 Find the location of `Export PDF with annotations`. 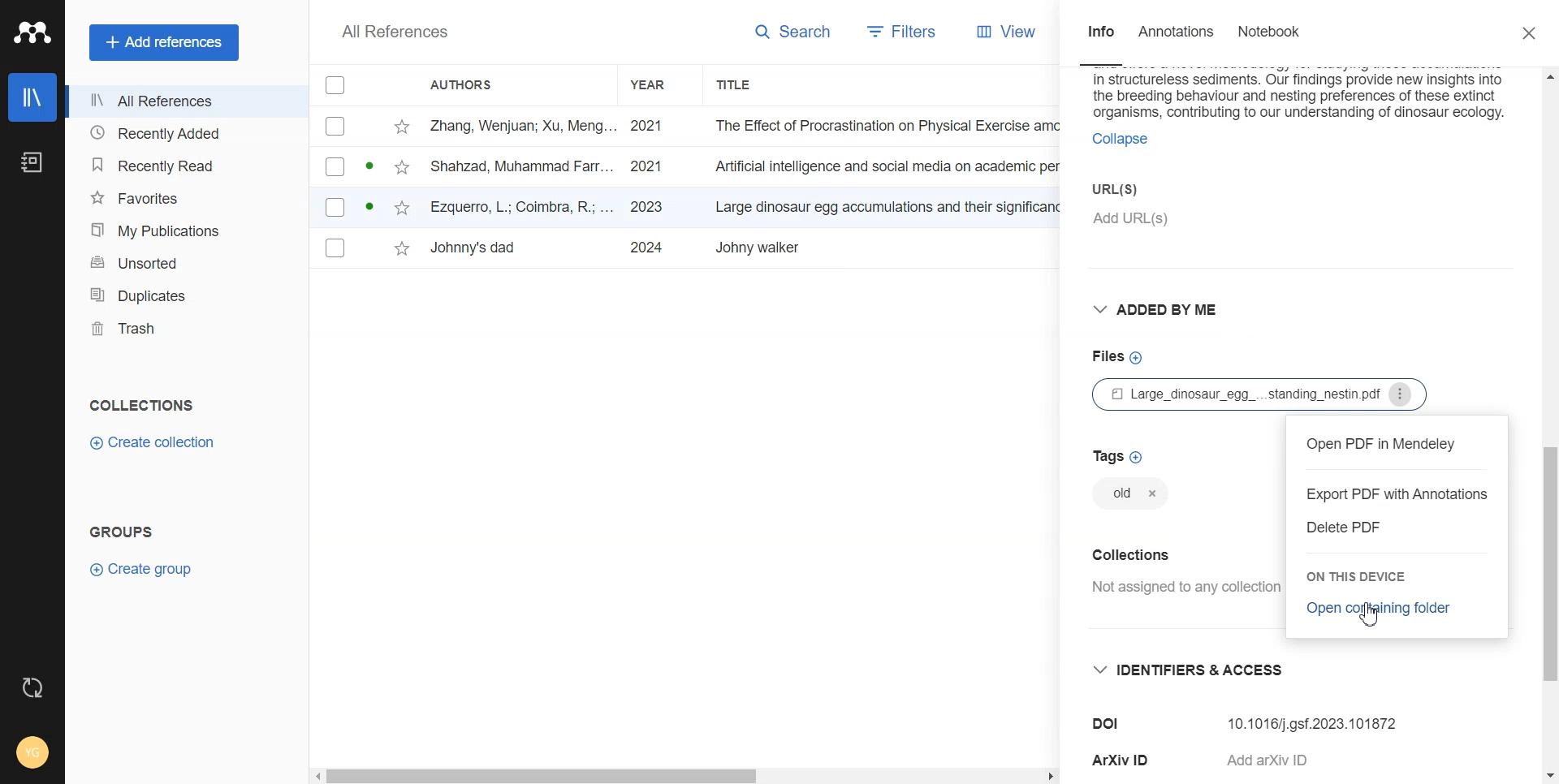

Export PDF with annotations is located at coordinates (1398, 494).